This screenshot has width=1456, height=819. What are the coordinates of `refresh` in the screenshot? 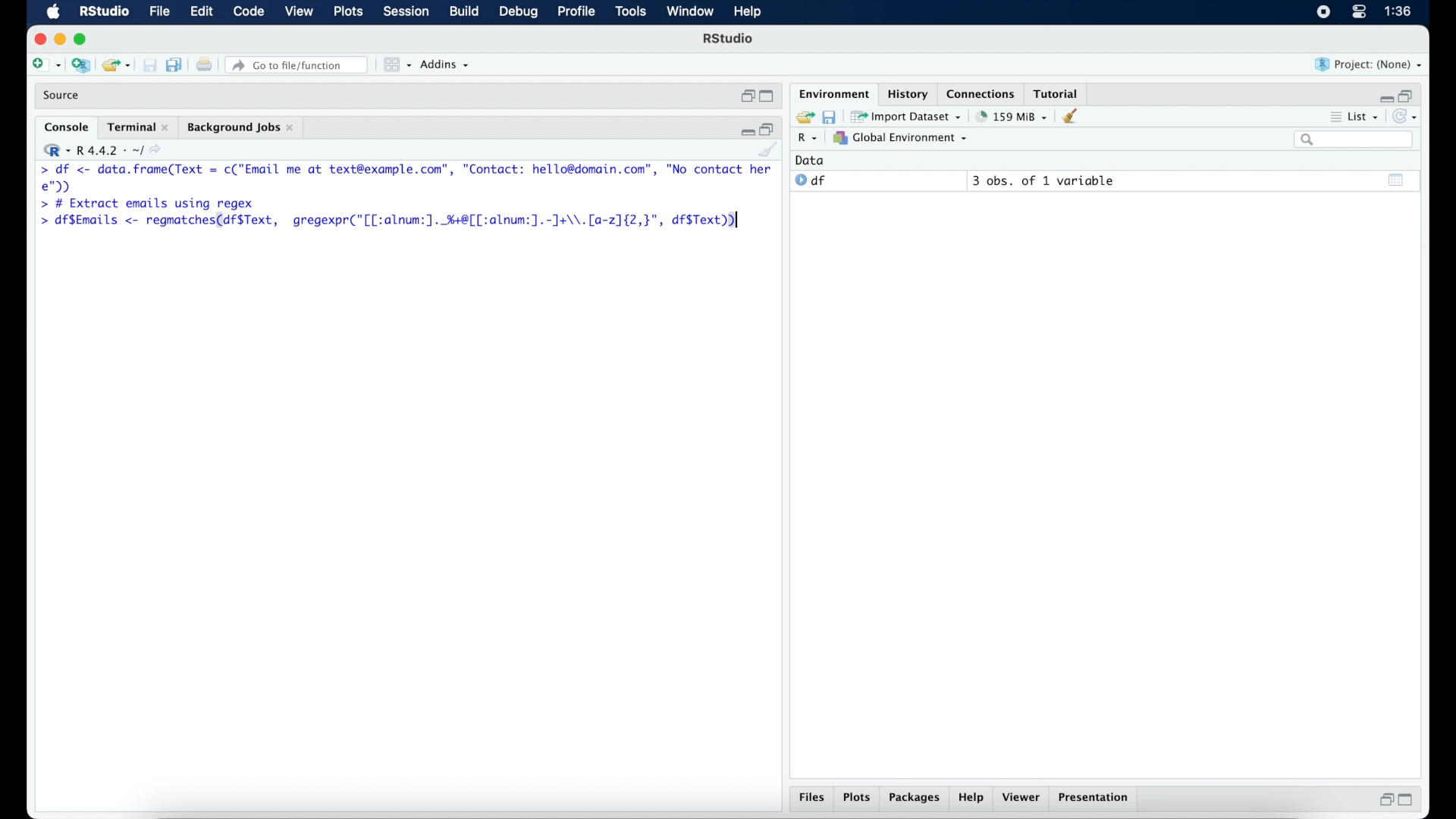 It's located at (1409, 117).